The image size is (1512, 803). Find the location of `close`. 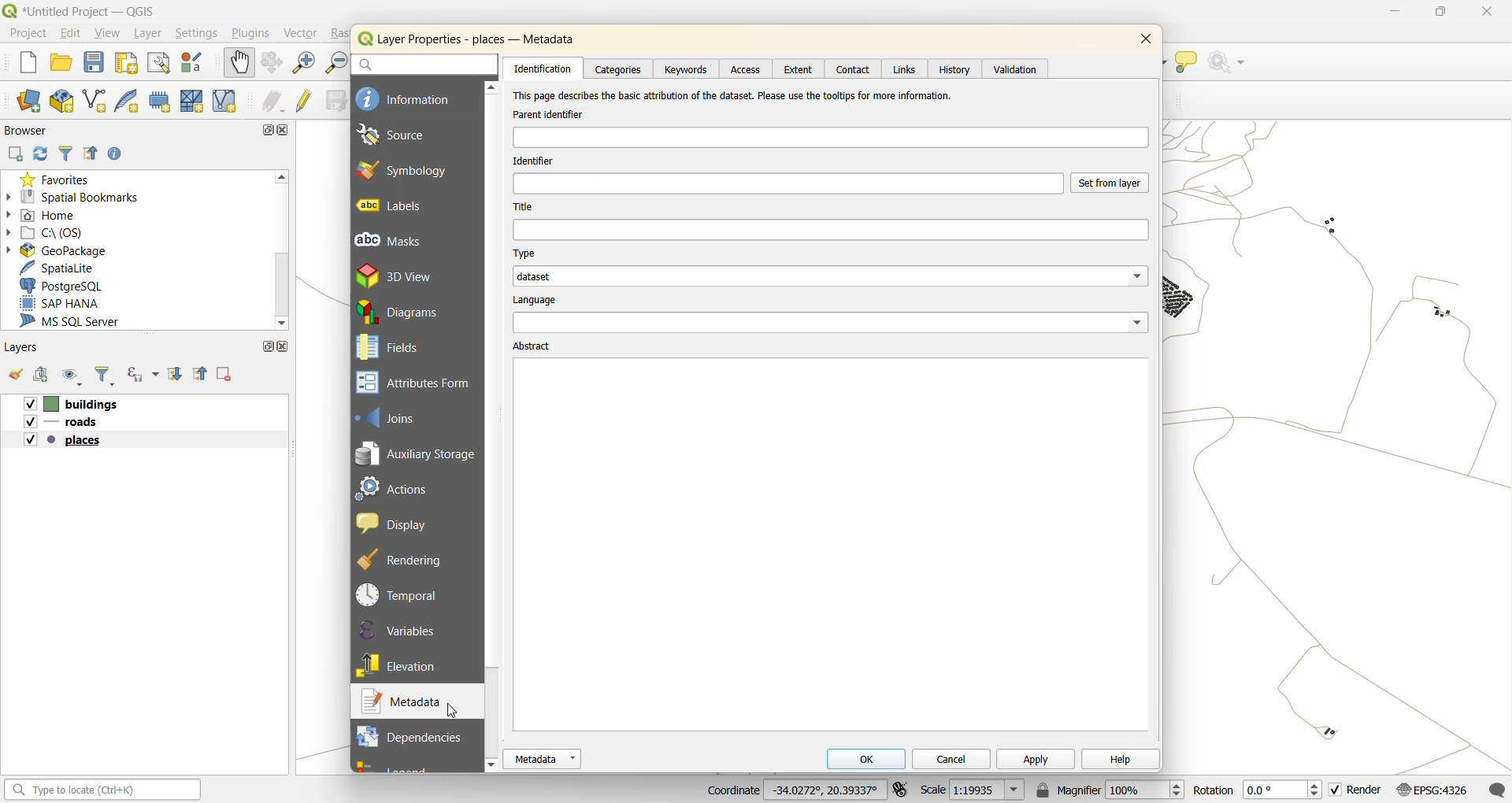

close is located at coordinates (1484, 16).